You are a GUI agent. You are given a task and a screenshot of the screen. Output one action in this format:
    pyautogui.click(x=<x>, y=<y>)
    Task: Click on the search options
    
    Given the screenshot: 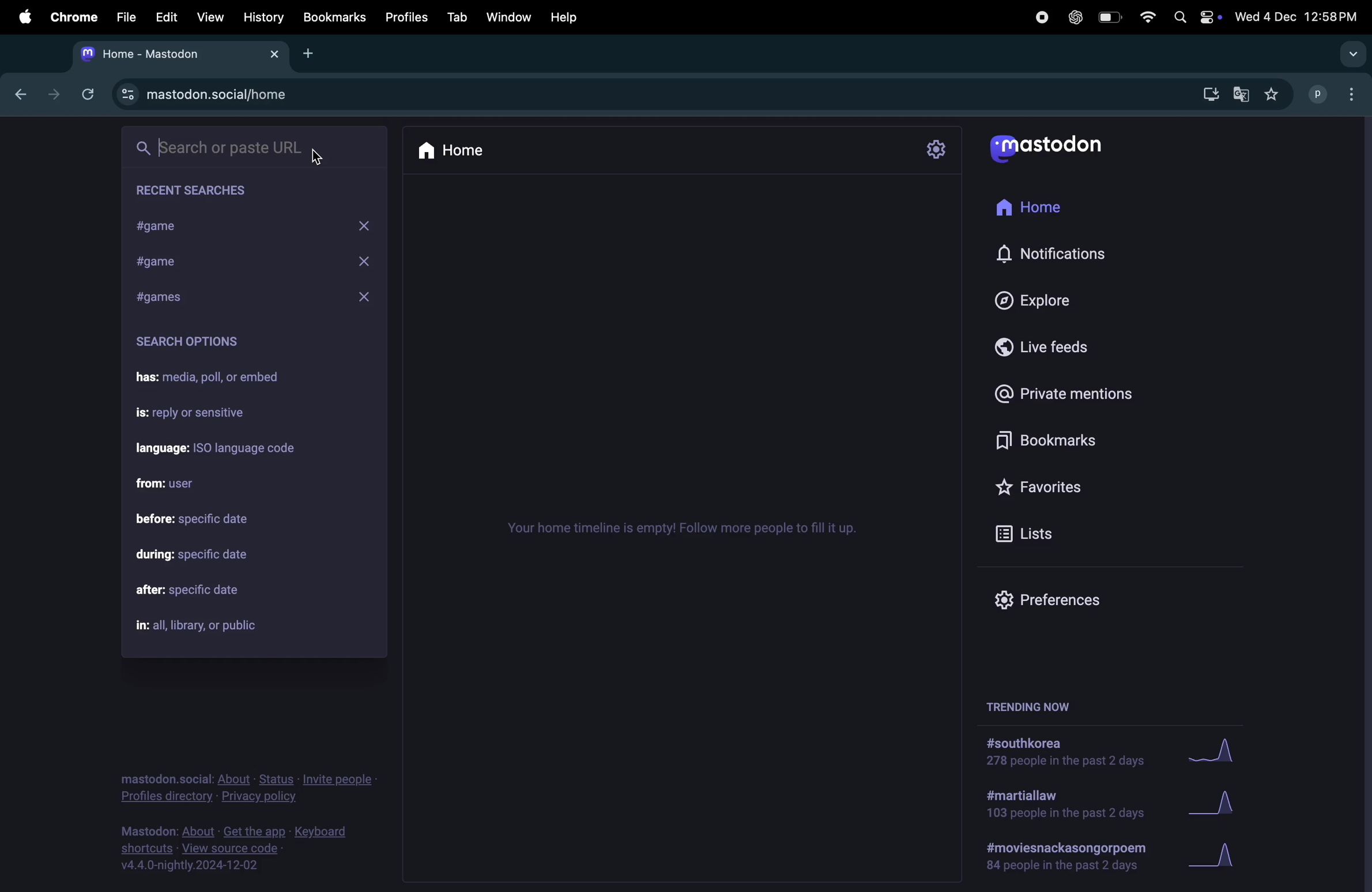 What is the action you would take?
    pyautogui.click(x=193, y=345)
    